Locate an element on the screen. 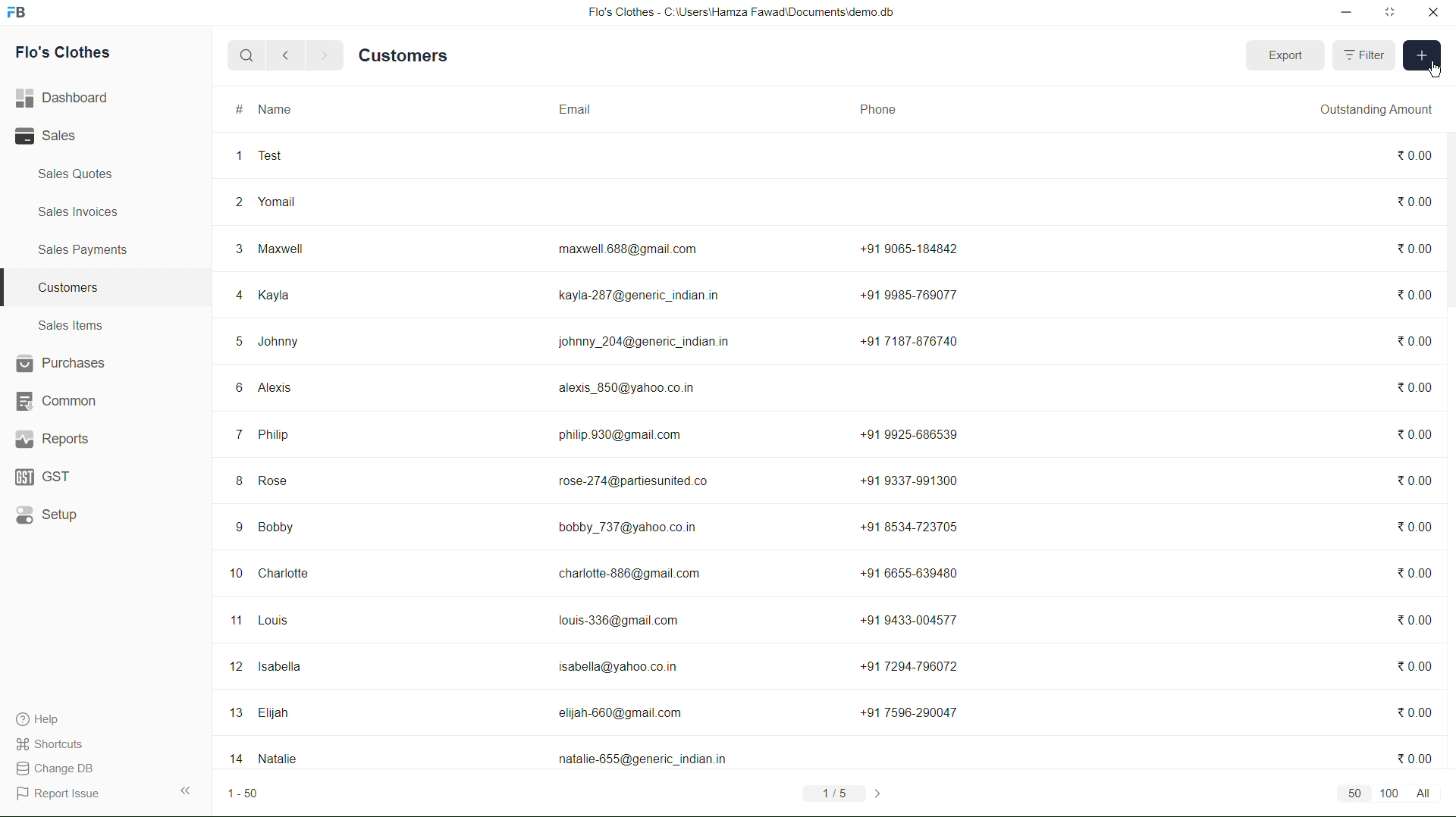  +91 8534-723705 is located at coordinates (908, 527).